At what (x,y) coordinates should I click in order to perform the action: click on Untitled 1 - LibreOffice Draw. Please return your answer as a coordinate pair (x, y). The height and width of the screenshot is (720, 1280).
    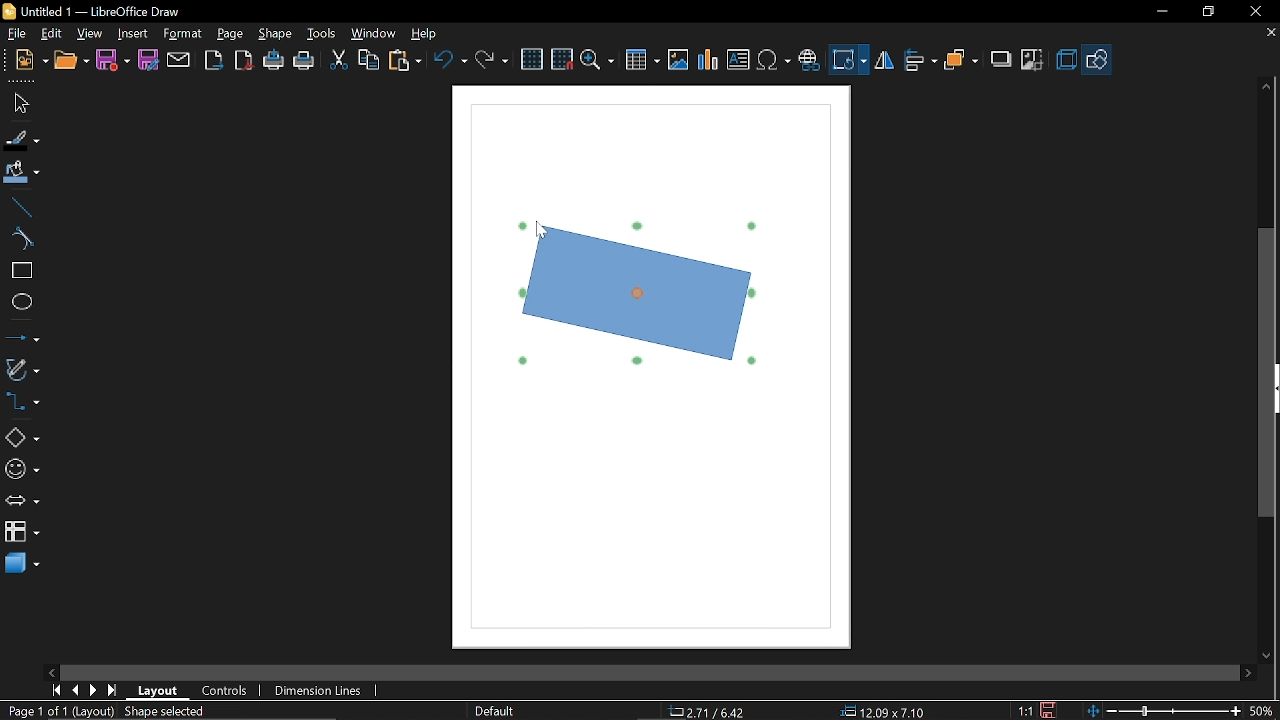
    Looking at the image, I should click on (91, 10).